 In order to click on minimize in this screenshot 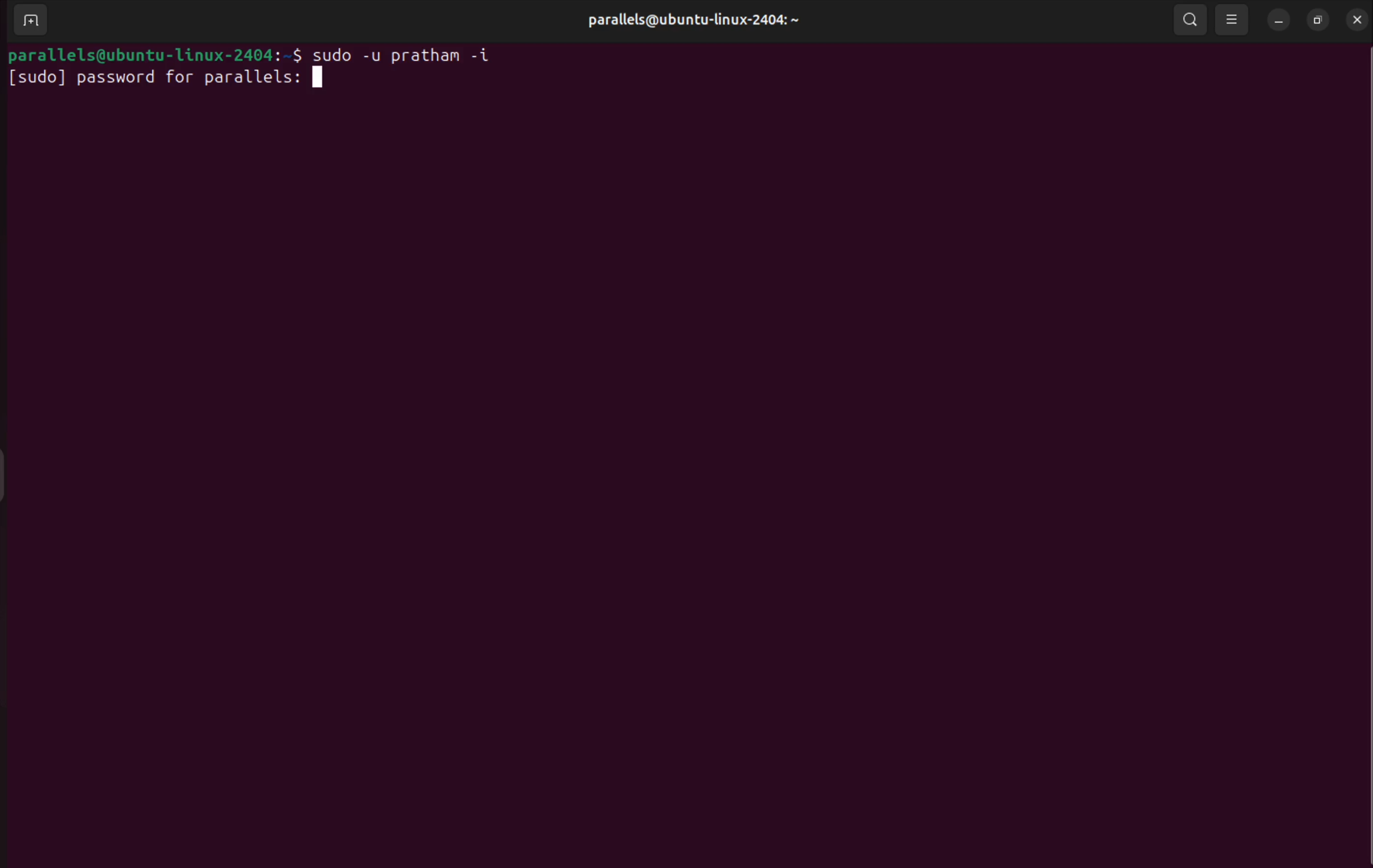, I will do `click(1277, 19)`.